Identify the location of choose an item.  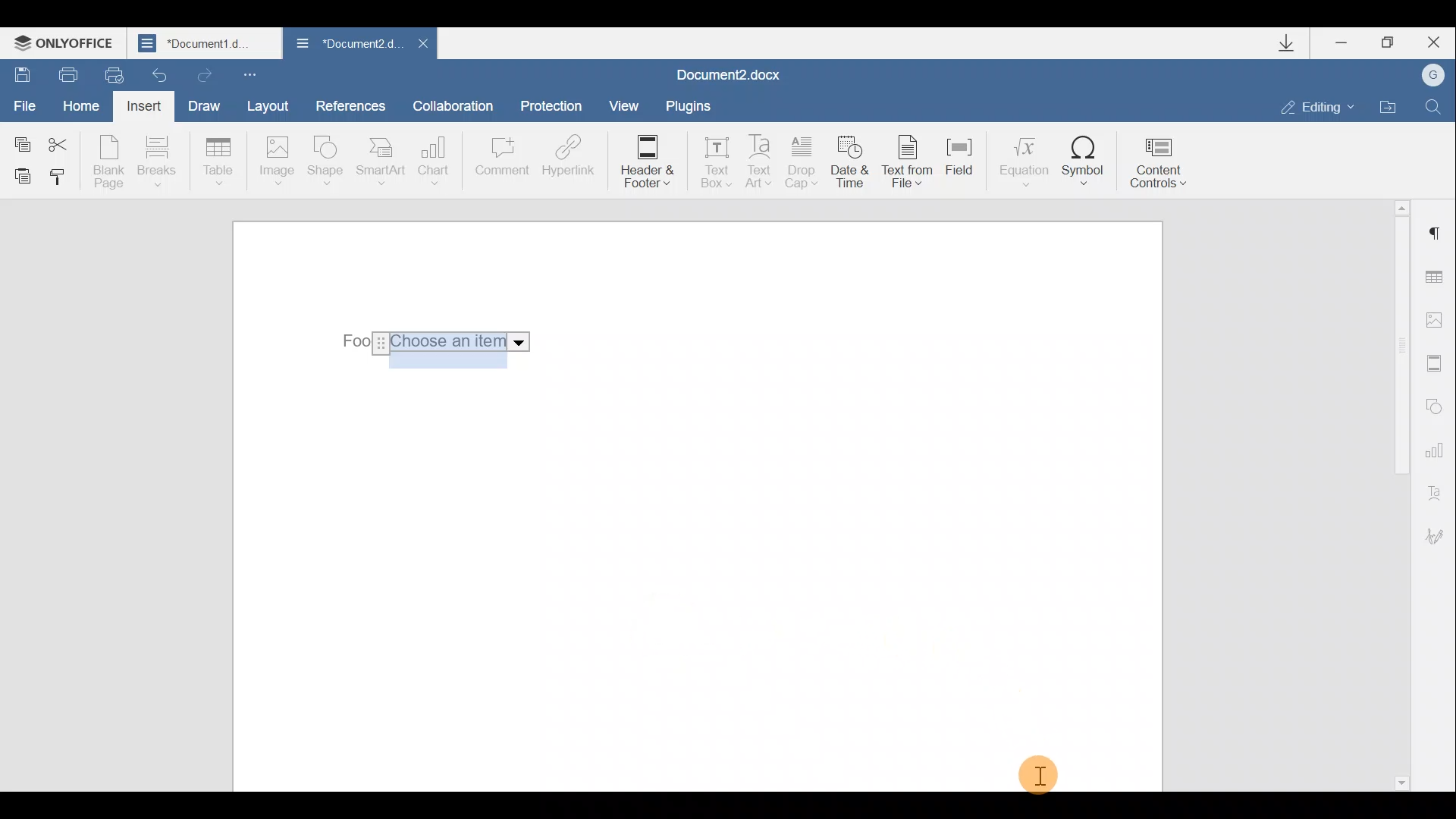
(461, 342).